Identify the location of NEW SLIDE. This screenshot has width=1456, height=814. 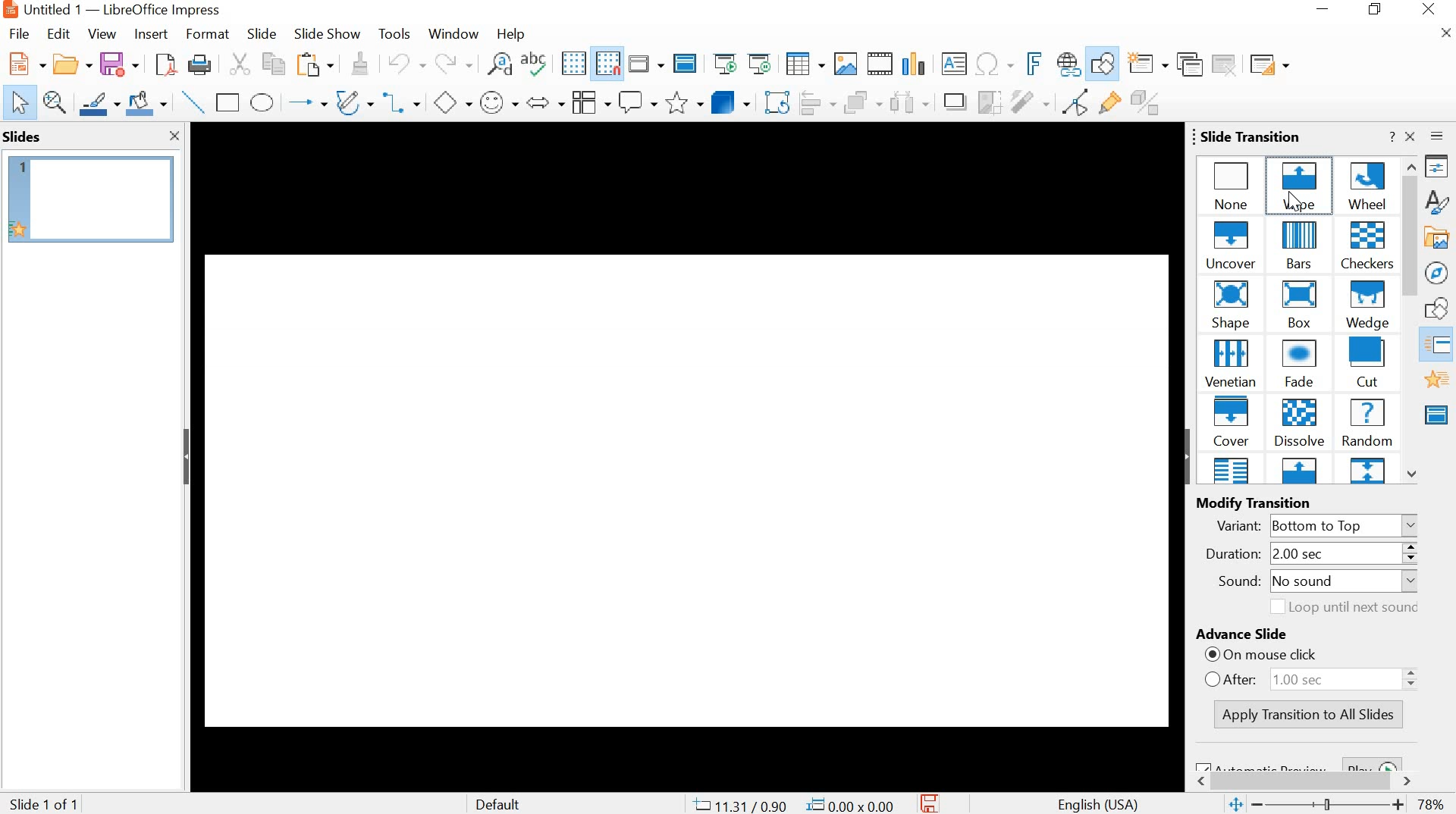
(1148, 63).